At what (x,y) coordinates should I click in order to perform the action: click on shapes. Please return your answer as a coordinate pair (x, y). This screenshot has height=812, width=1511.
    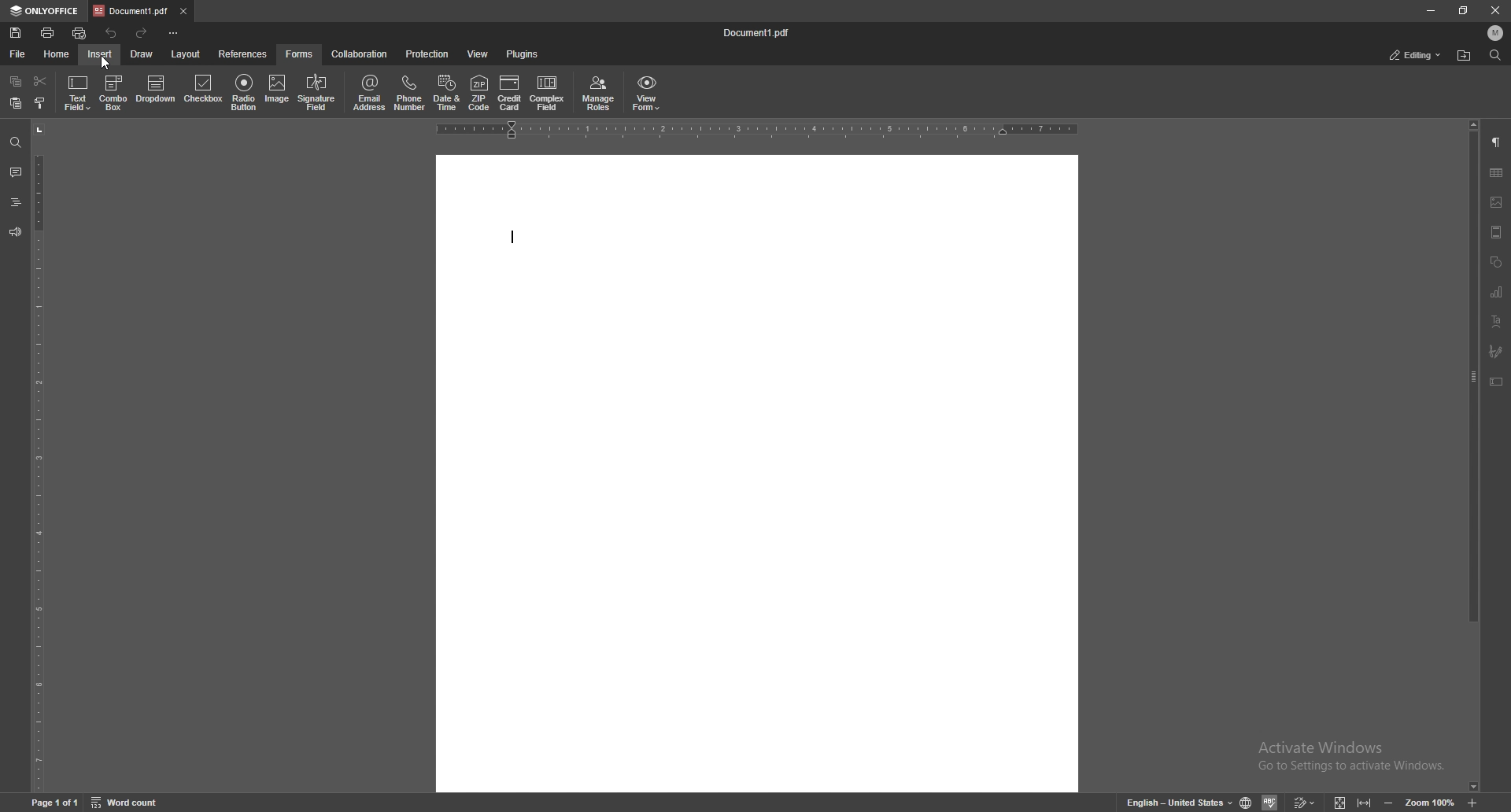
    Looking at the image, I should click on (1496, 262).